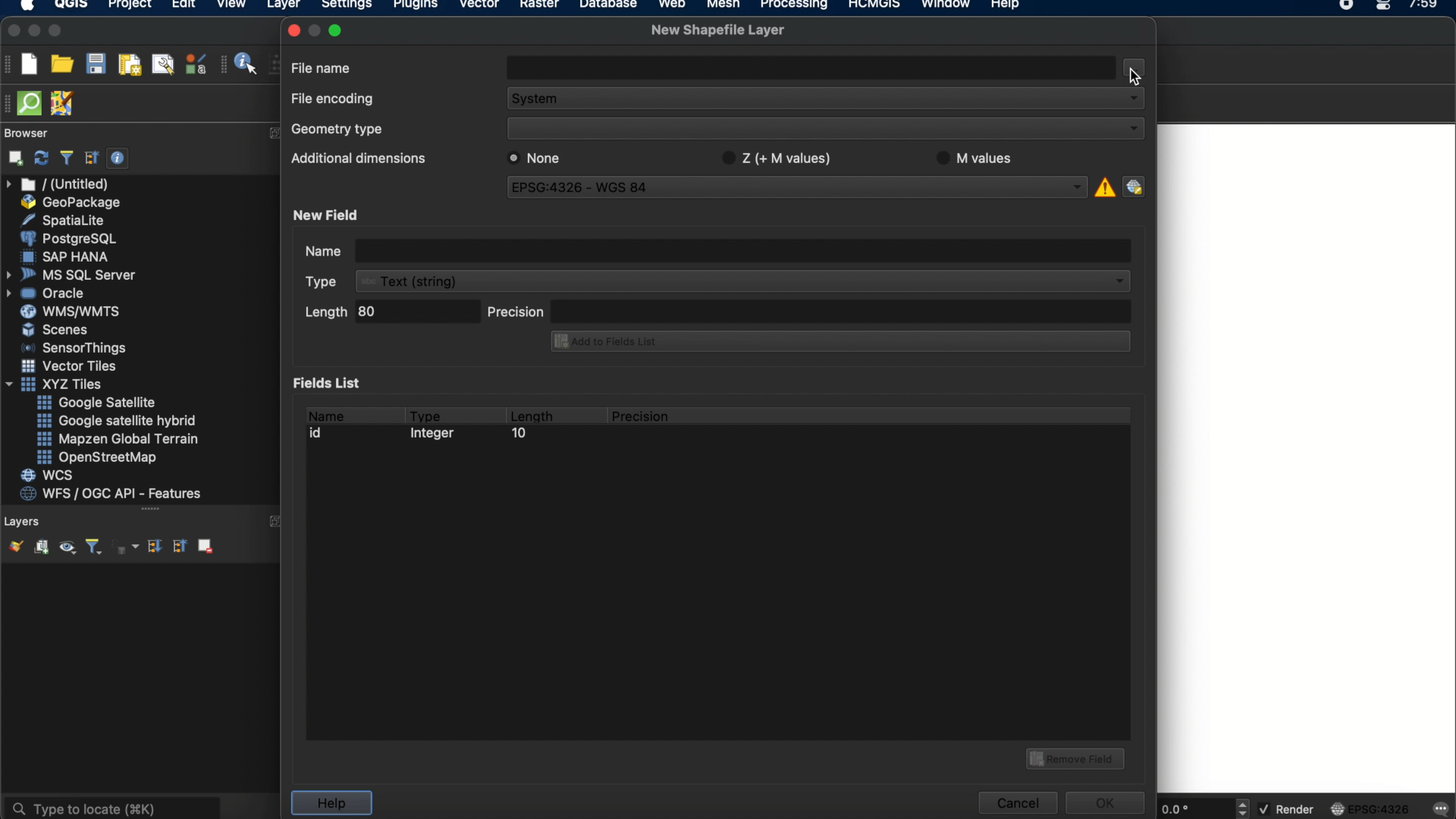 The width and height of the screenshot is (1456, 819). Describe the element at coordinates (320, 433) in the screenshot. I see `id` at that location.